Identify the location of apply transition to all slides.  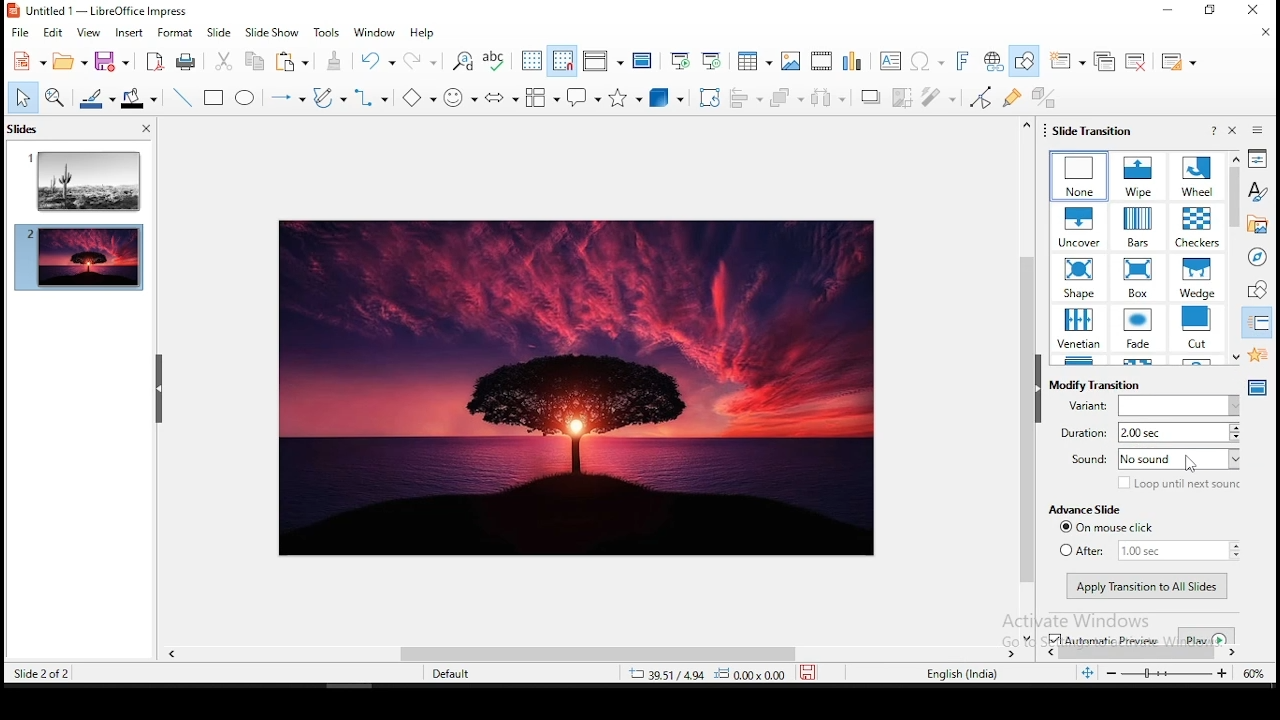
(1148, 587).